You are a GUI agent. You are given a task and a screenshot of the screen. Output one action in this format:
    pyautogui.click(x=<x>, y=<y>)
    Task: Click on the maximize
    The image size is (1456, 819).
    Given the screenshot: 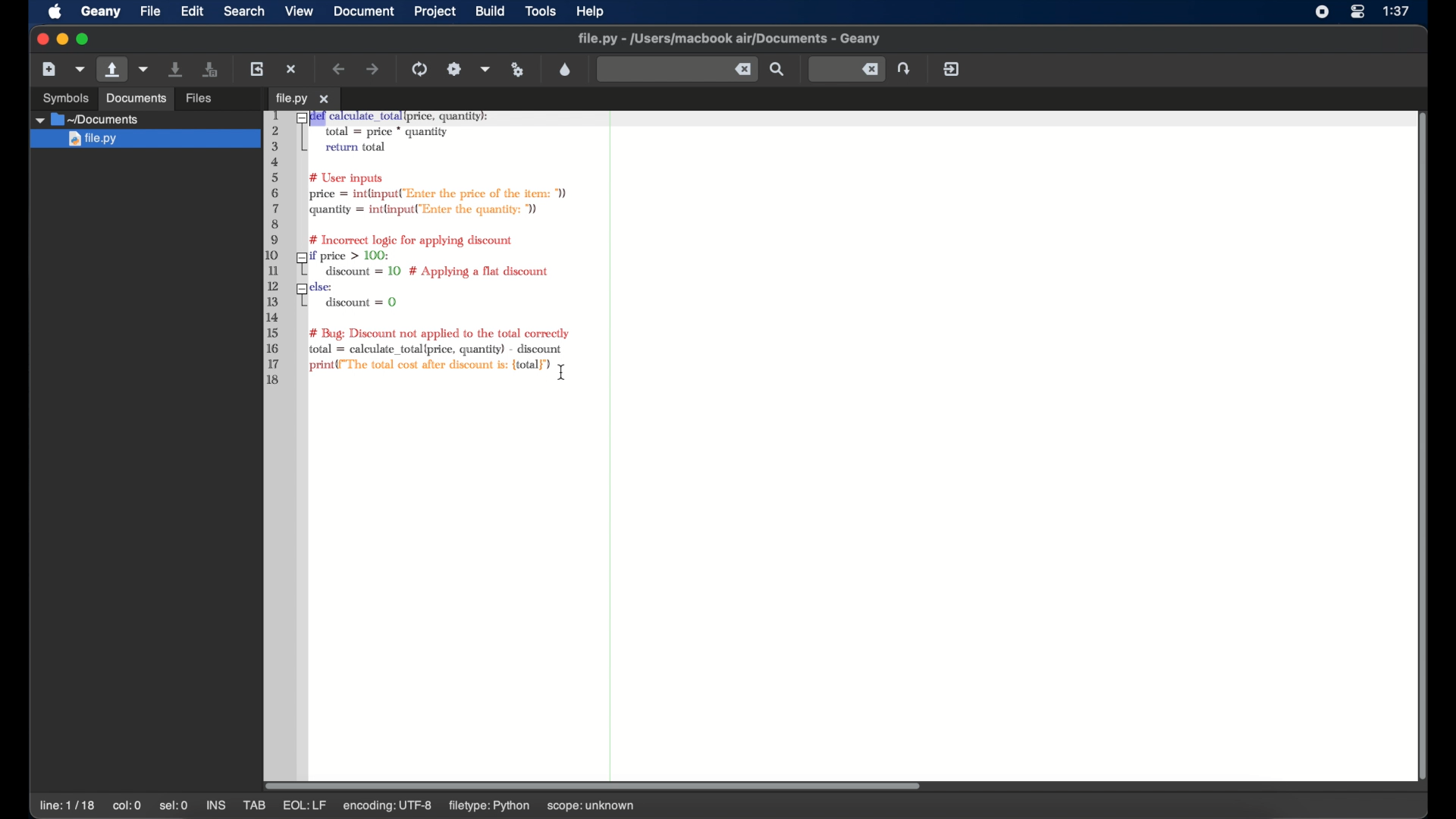 What is the action you would take?
    pyautogui.click(x=85, y=39)
    